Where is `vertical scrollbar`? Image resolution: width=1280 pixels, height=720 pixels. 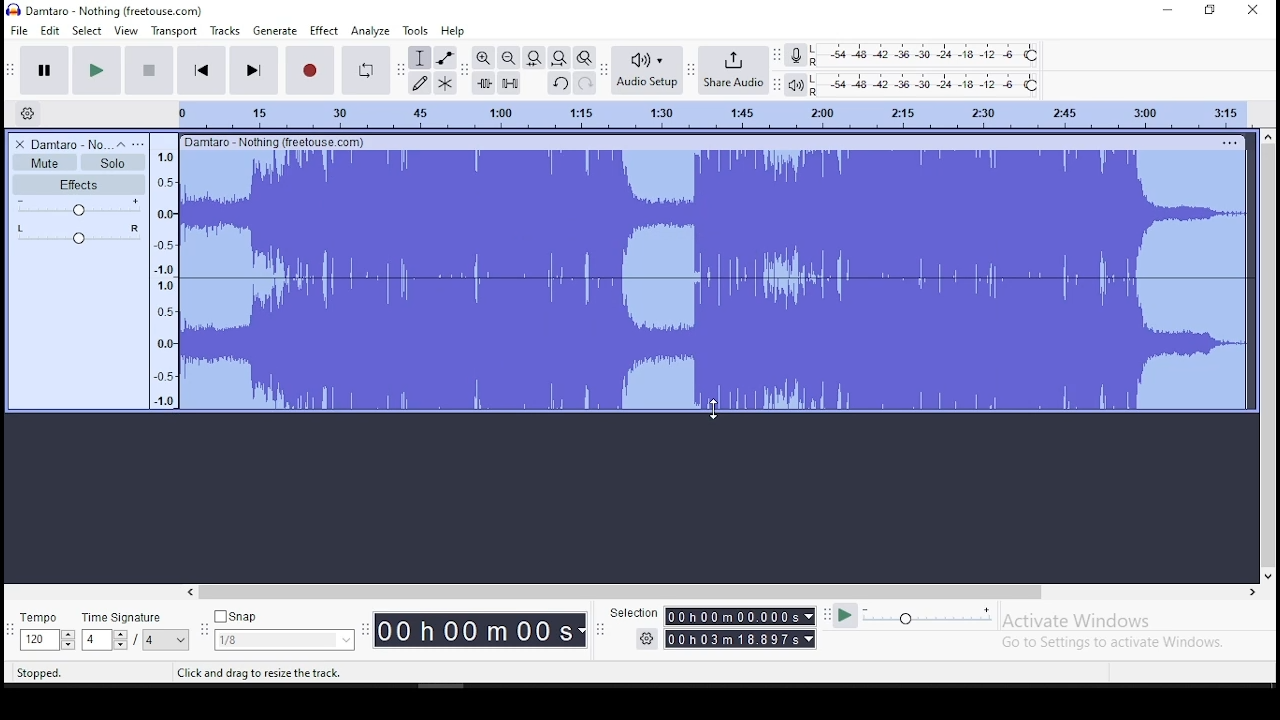 vertical scrollbar is located at coordinates (1269, 356).